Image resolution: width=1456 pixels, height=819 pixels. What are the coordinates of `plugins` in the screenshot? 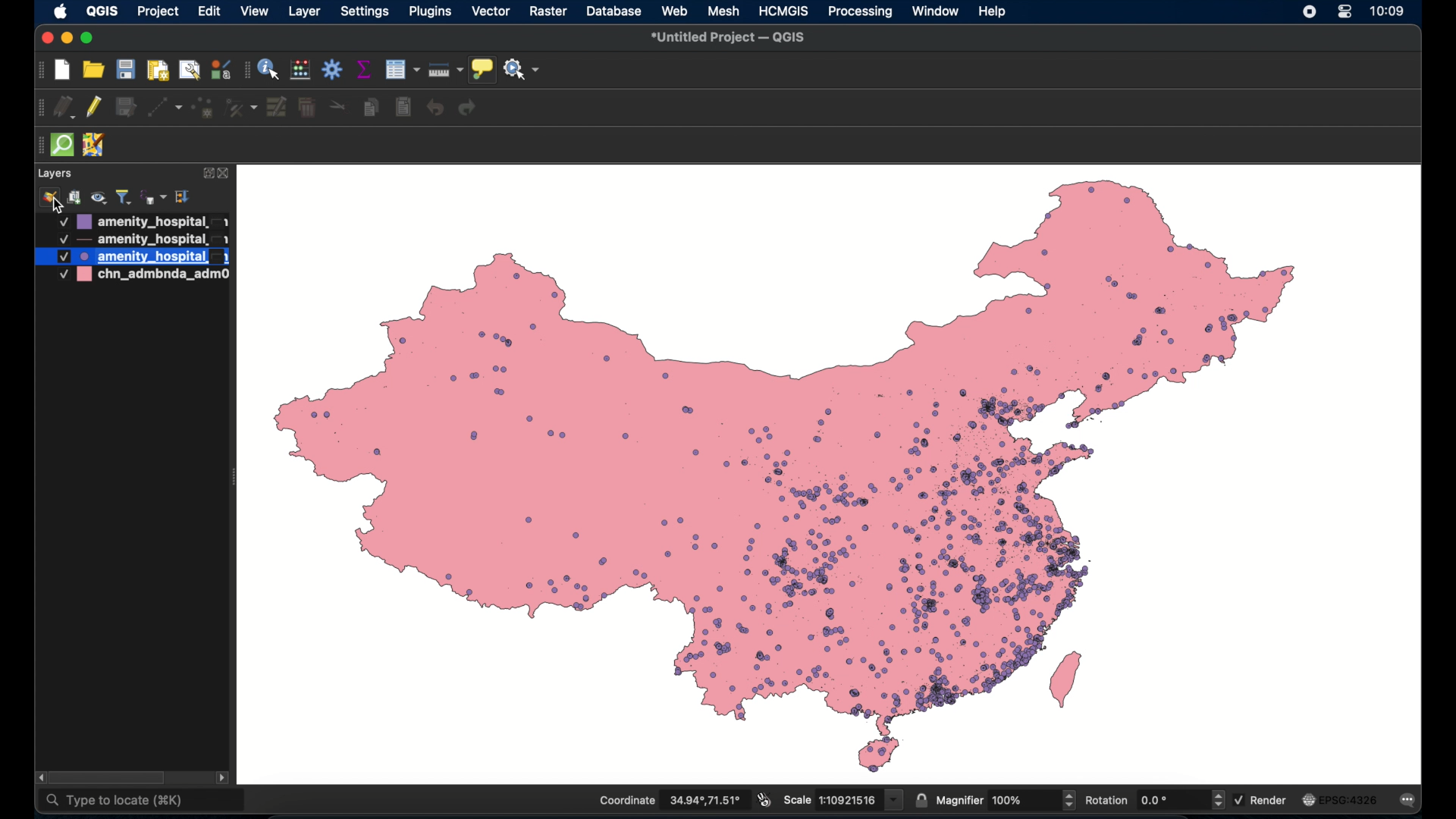 It's located at (431, 11).